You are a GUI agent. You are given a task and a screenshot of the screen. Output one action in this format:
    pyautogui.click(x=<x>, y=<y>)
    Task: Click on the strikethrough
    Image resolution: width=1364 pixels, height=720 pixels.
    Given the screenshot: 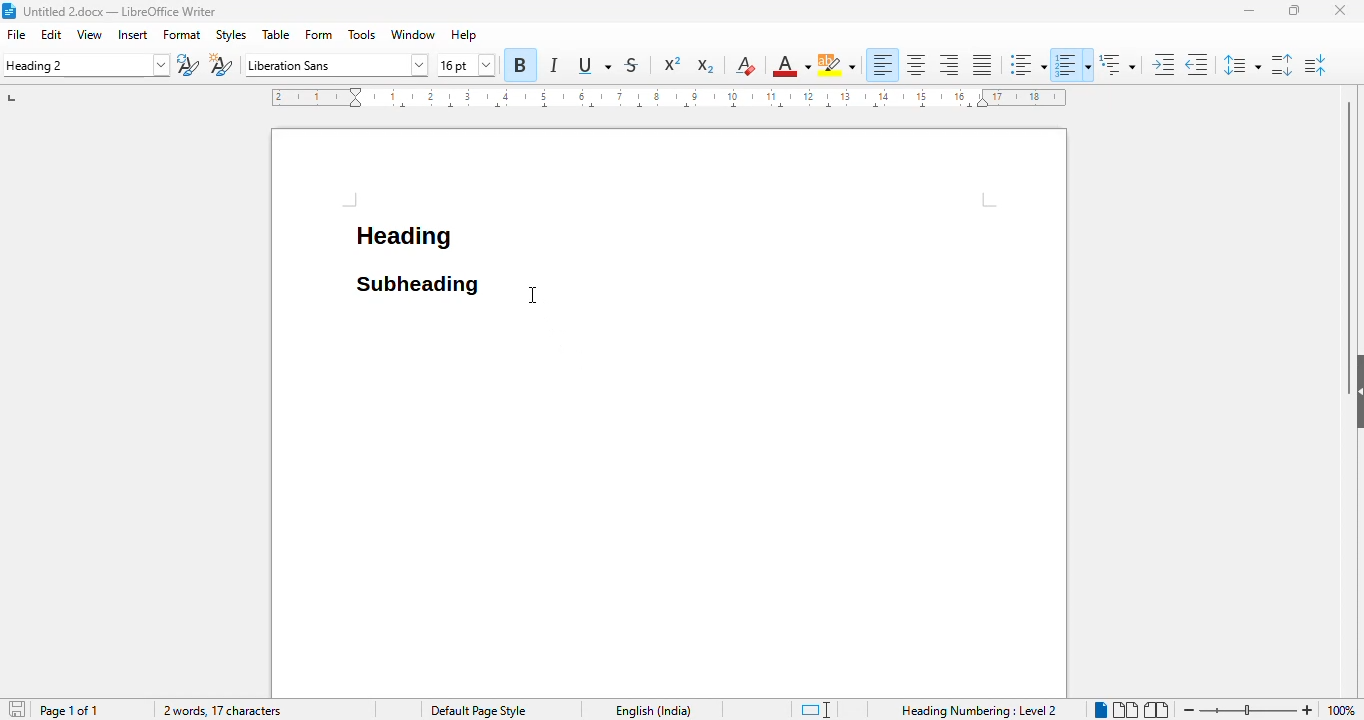 What is the action you would take?
    pyautogui.click(x=633, y=65)
    